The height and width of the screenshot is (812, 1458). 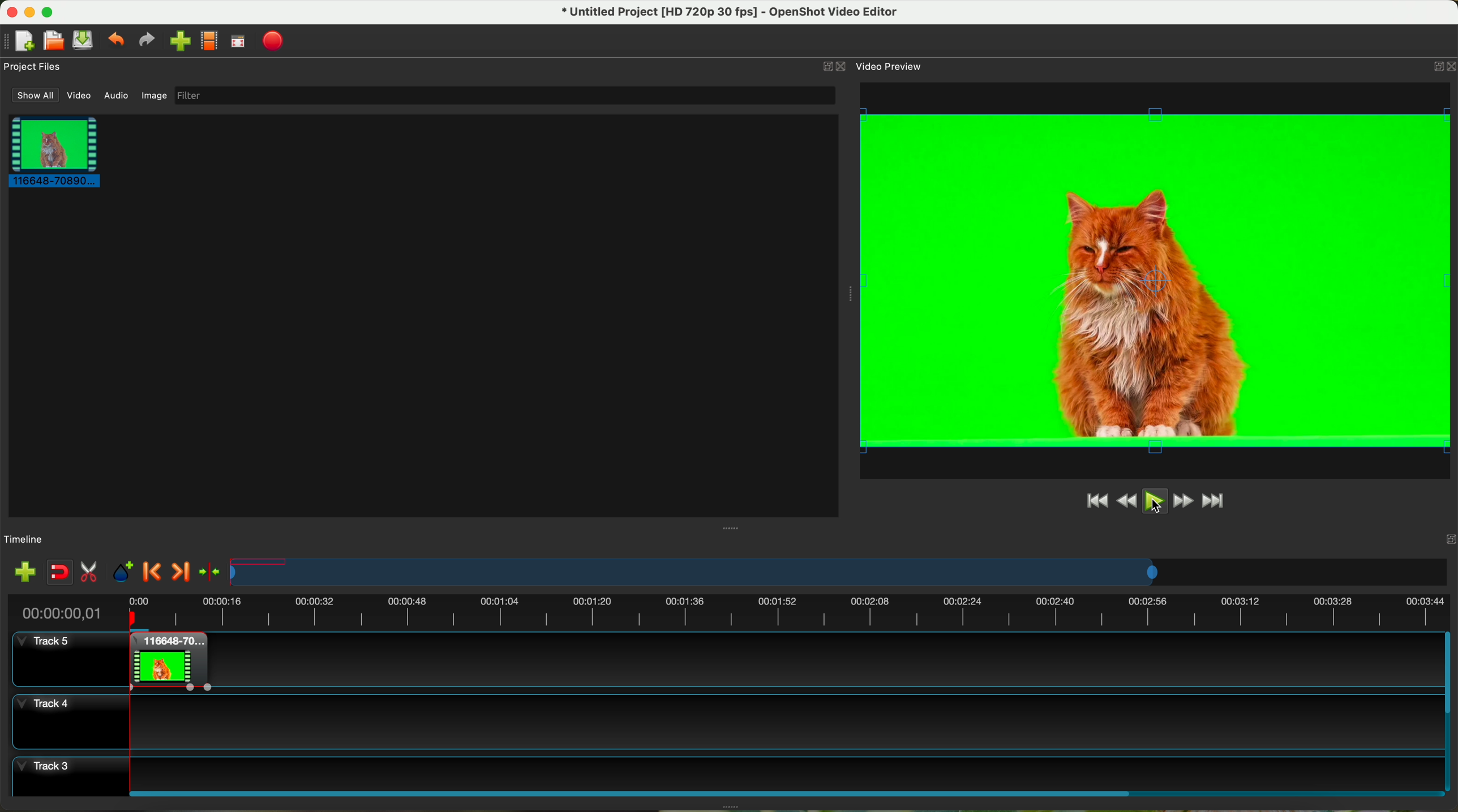 I want to click on timeline, so click(x=727, y=611).